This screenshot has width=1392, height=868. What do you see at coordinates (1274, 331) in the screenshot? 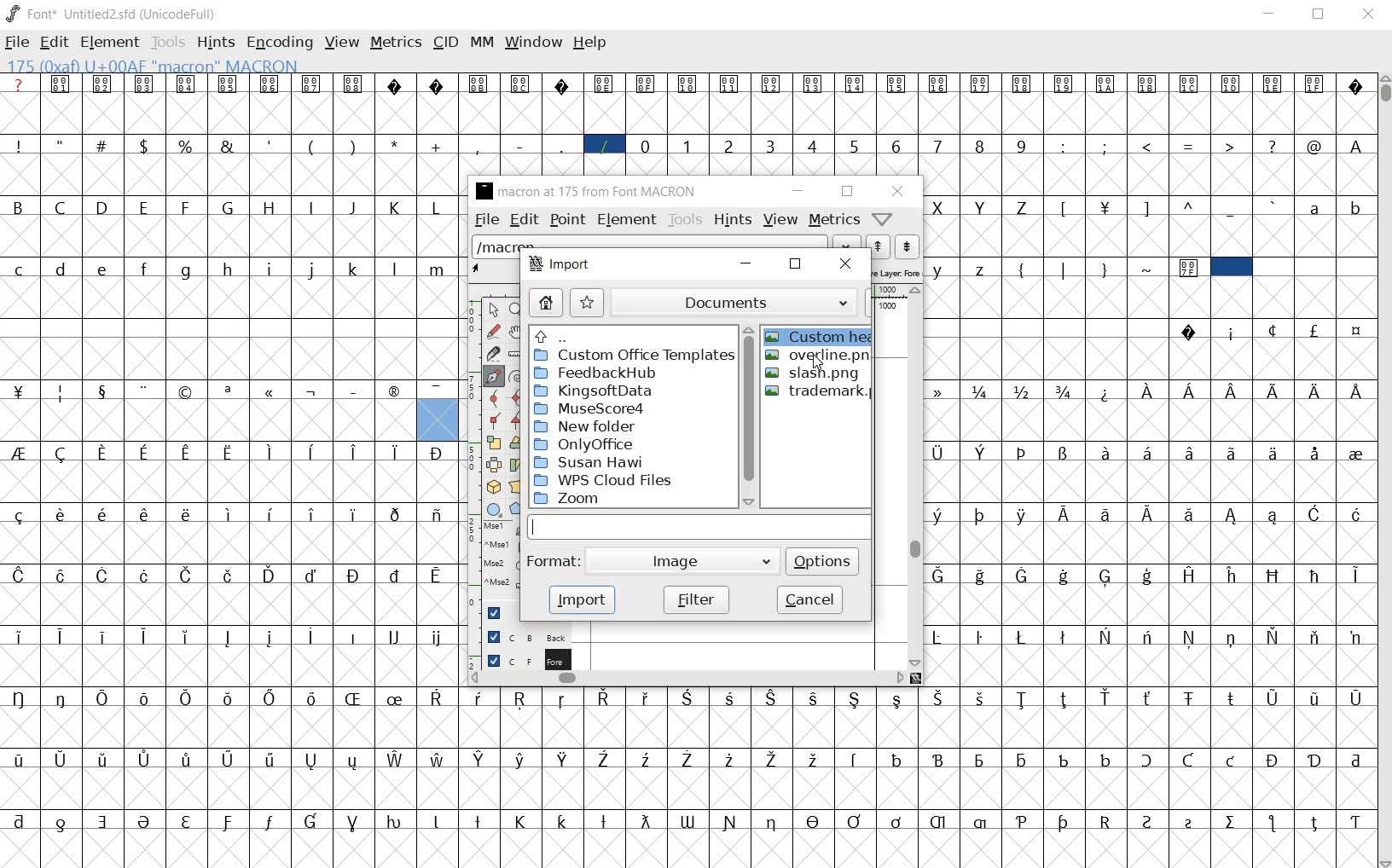
I see `Symbol` at bounding box center [1274, 331].